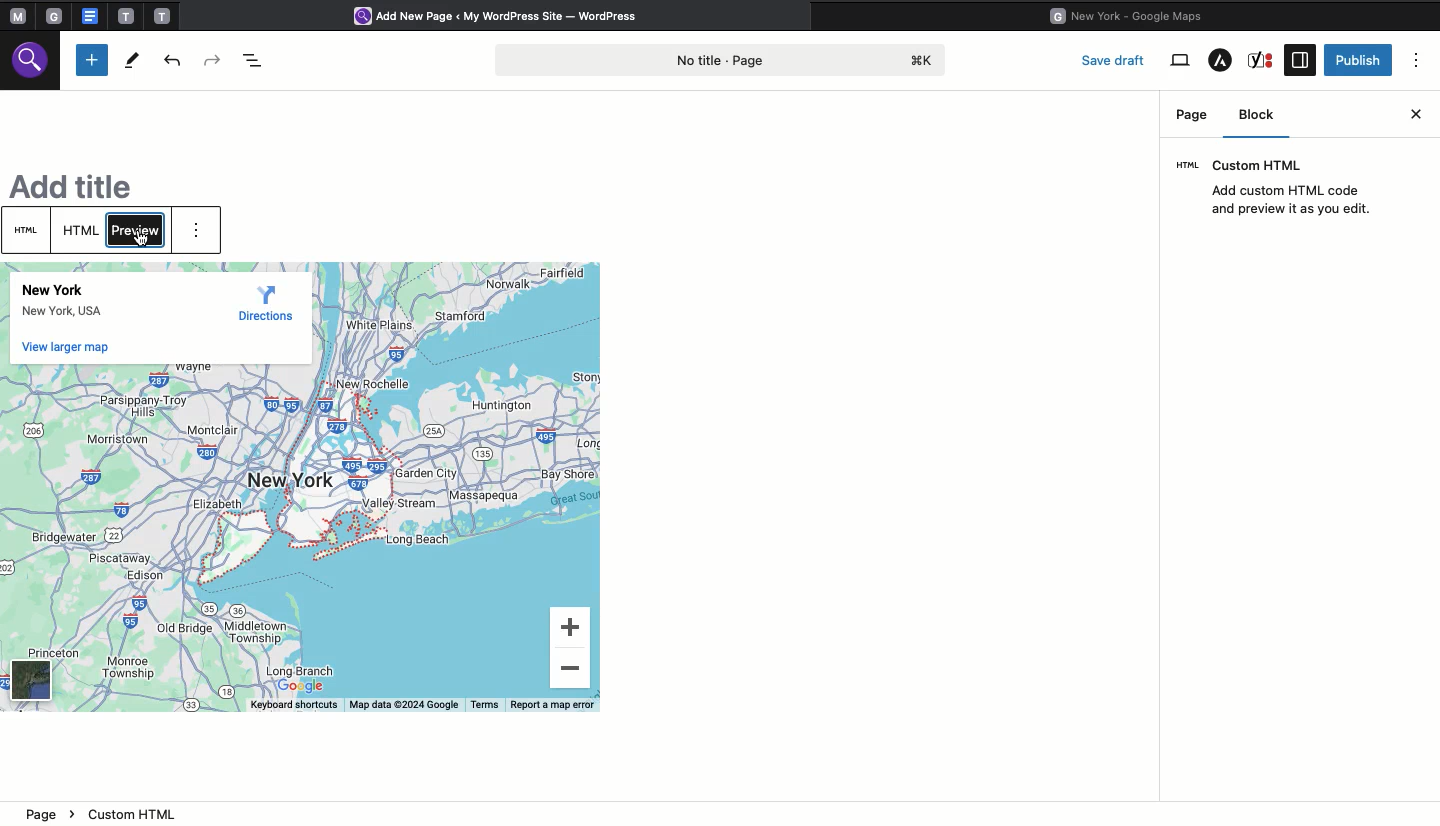 This screenshot has width=1440, height=826. Describe the element at coordinates (164, 15) in the screenshot. I see `tab` at that location.